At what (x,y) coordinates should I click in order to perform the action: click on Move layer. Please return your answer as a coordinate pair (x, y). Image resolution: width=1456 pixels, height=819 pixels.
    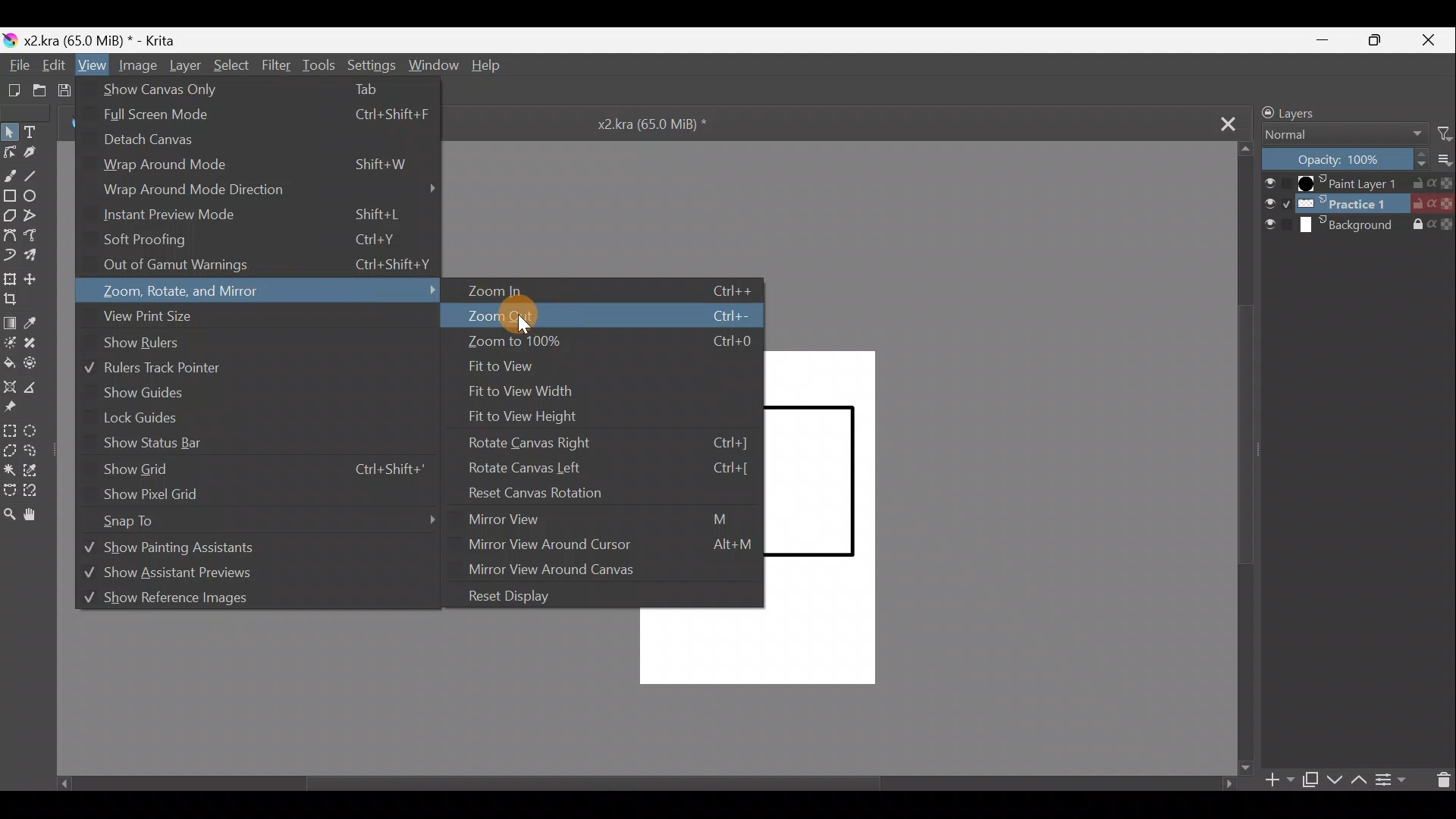
    Looking at the image, I should click on (37, 277).